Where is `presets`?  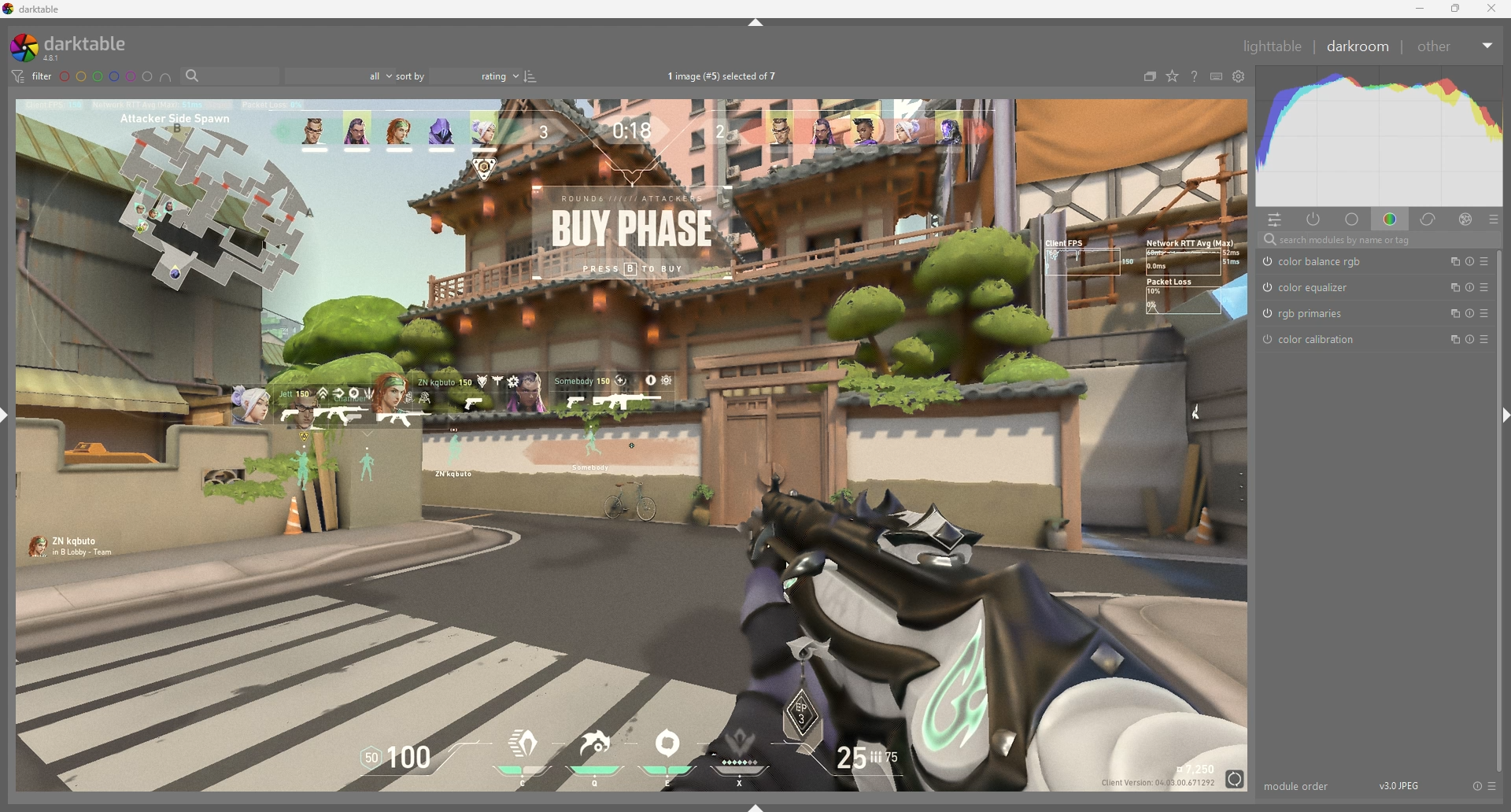 presets is located at coordinates (1485, 261).